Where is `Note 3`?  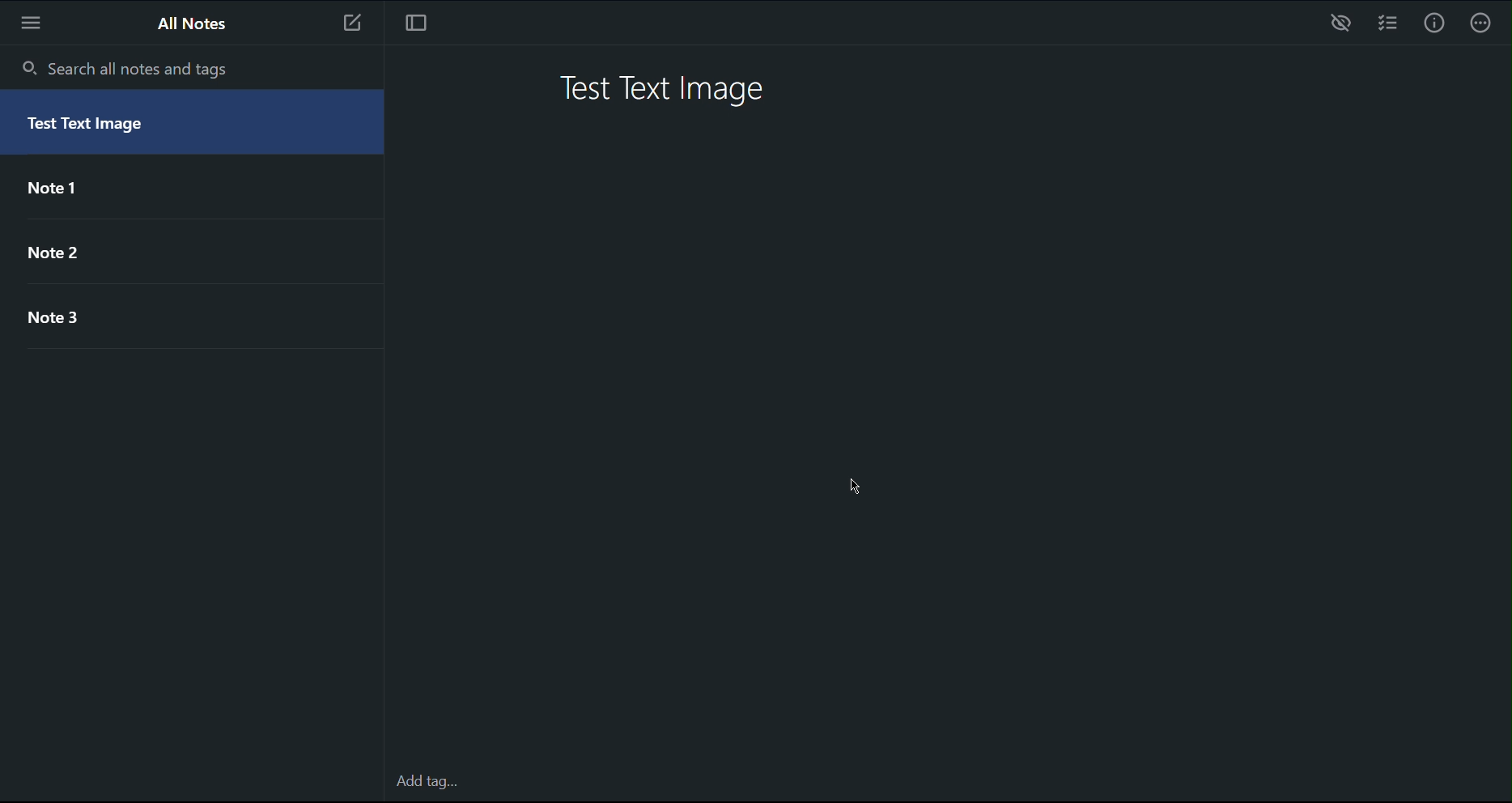
Note 3 is located at coordinates (61, 320).